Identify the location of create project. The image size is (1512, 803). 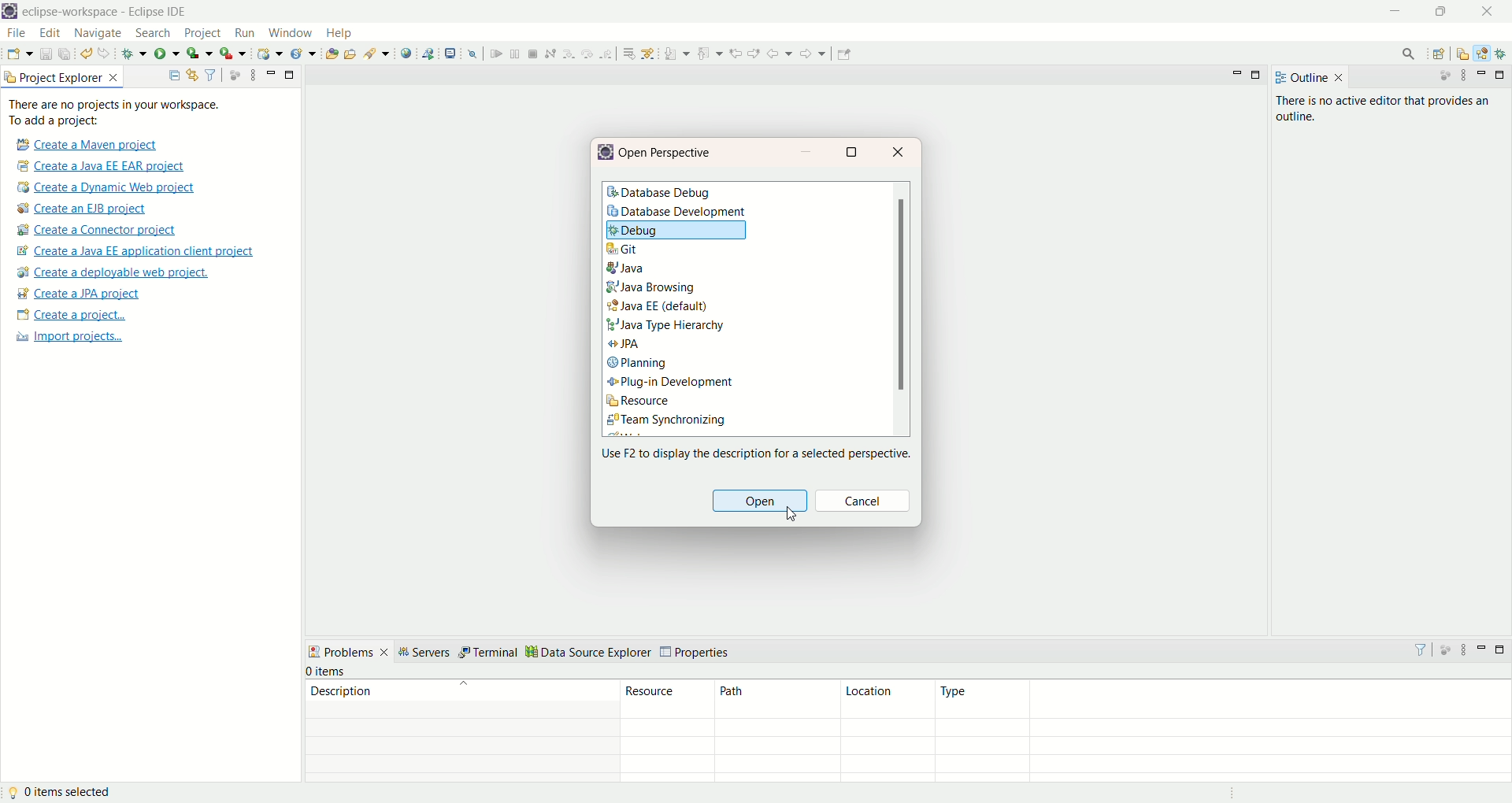
(68, 315).